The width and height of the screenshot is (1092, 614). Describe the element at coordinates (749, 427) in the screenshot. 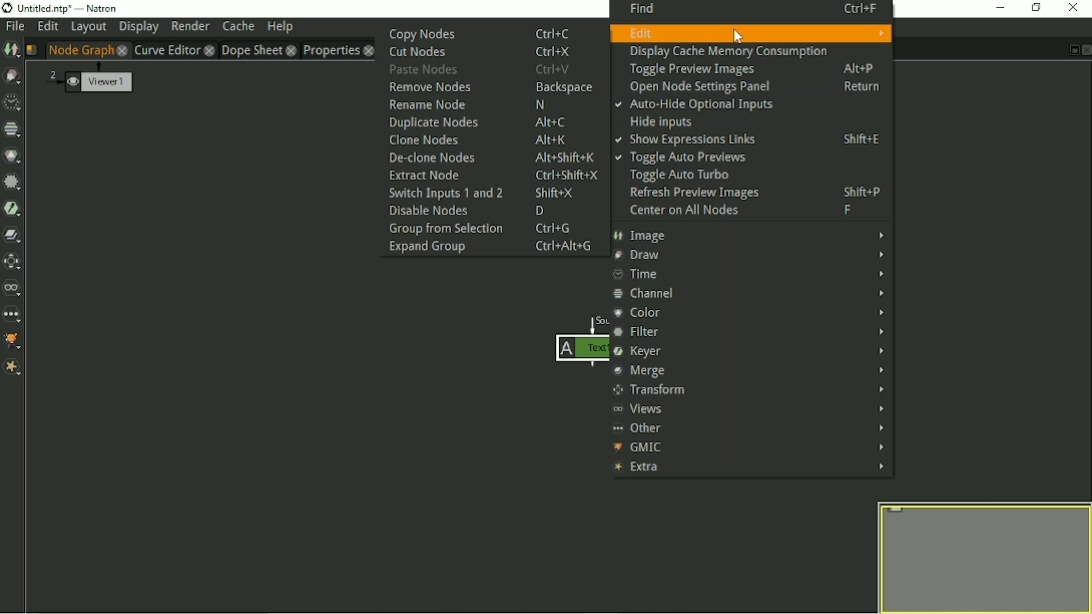

I see `Other` at that location.